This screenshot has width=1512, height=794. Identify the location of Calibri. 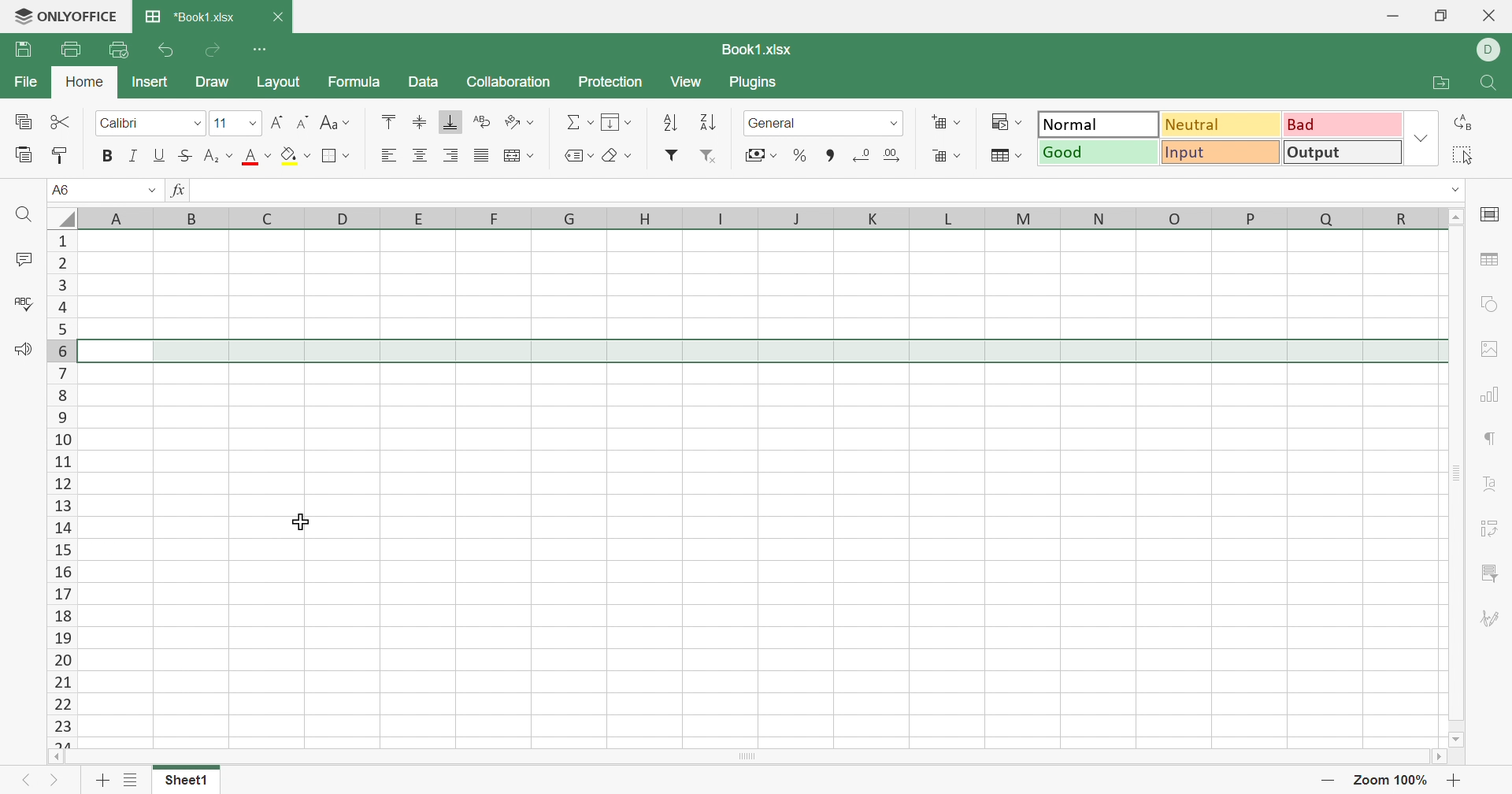
(130, 124).